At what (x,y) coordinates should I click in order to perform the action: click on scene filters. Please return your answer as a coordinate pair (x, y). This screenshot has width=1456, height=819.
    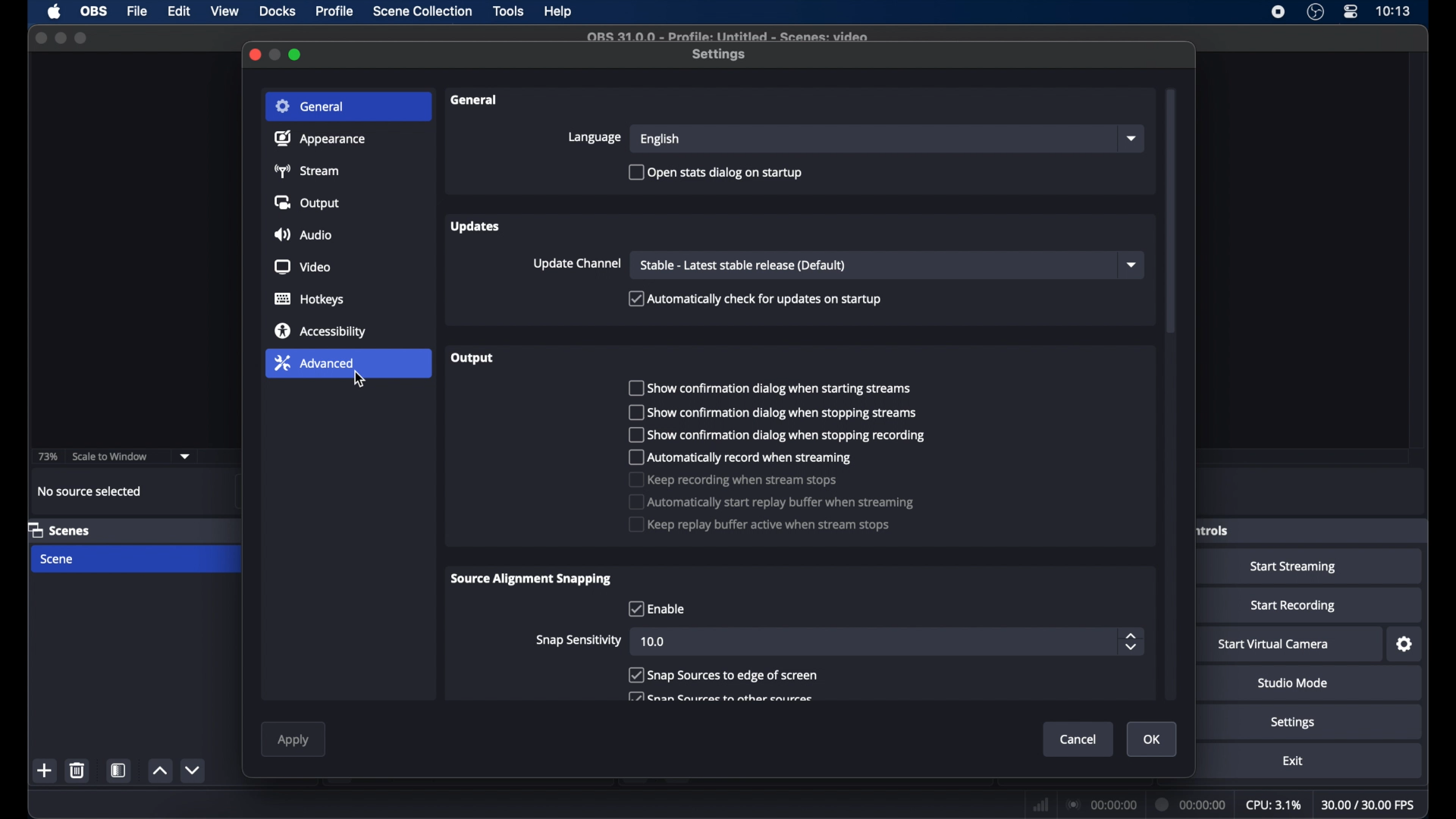
    Looking at the image, I should click on (120, 770).